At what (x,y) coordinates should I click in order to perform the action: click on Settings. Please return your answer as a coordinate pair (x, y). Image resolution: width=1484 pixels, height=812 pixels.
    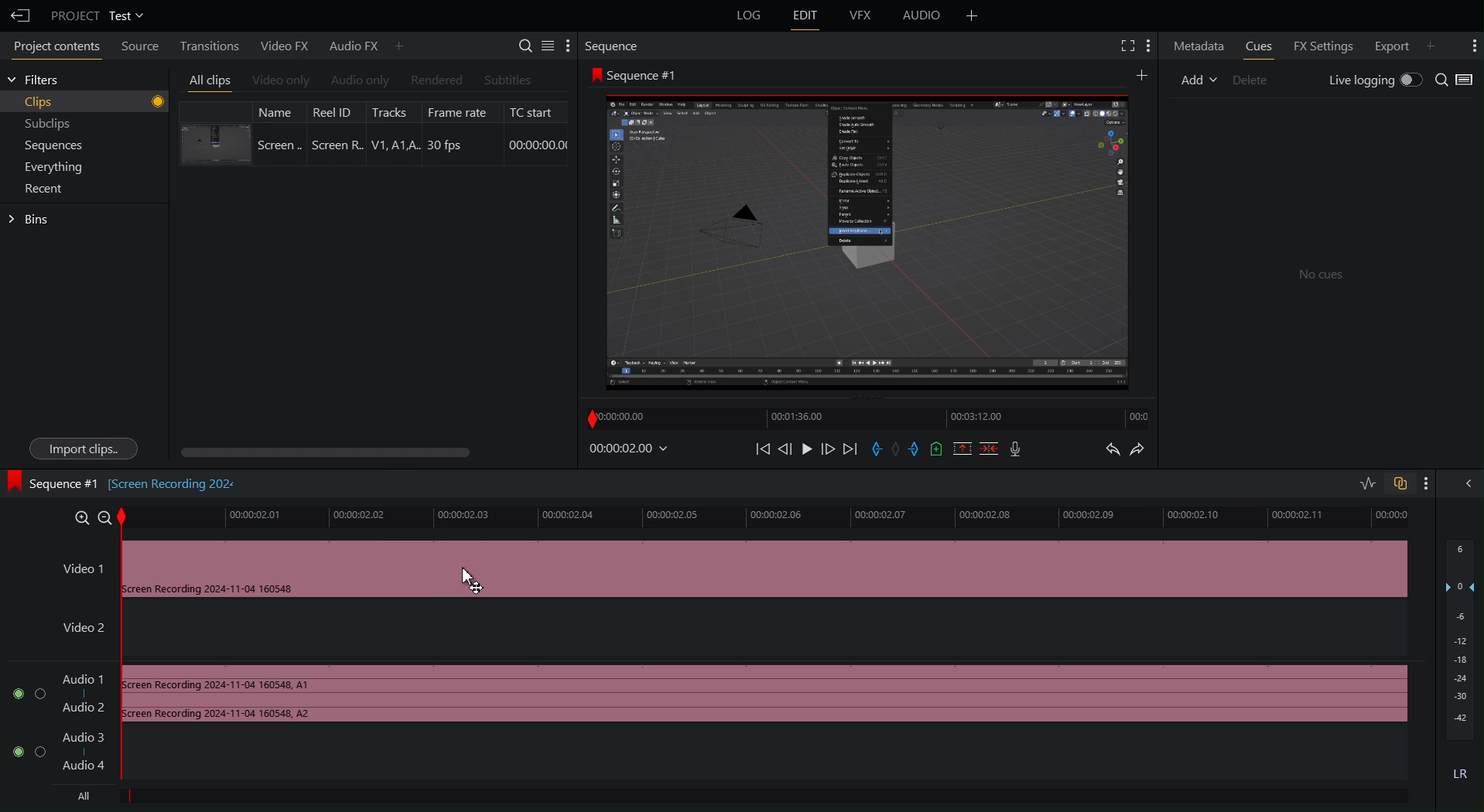
    Looking at the image, I should click on (542, 47).